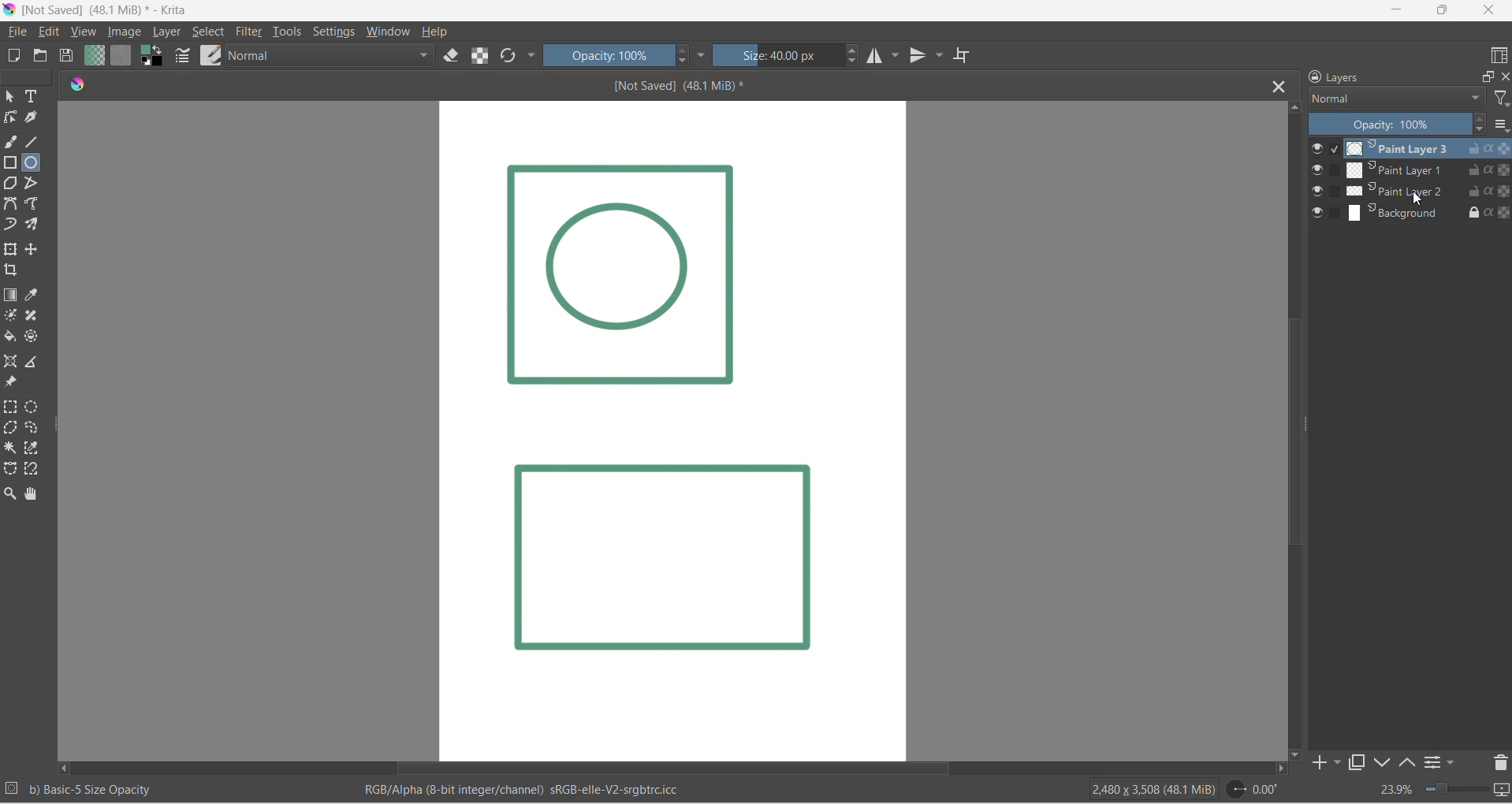  What do you see at coordinates (11, 296) in the screenshot?
I see `draw gradient` at bounding box center [11, 296].